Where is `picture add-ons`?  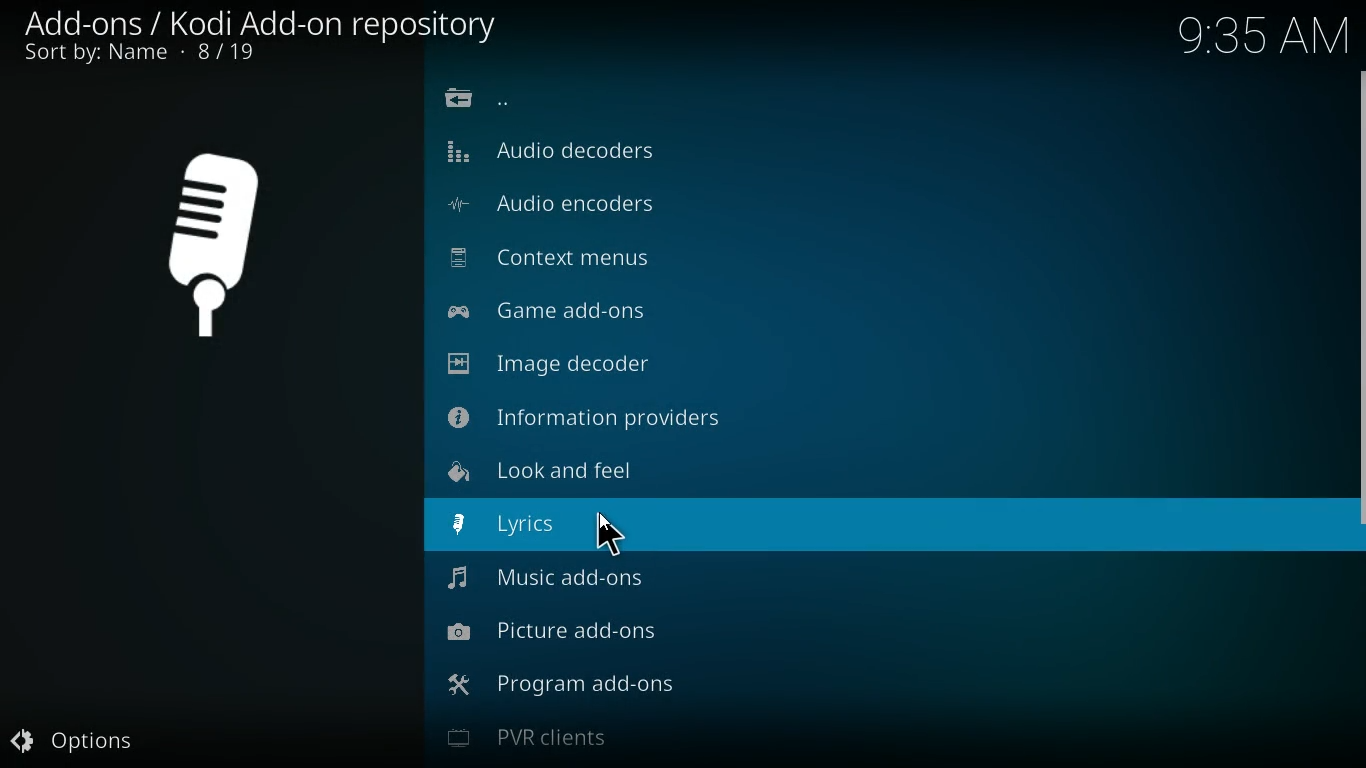
picture add-ons is located at coordinates (575, 640).